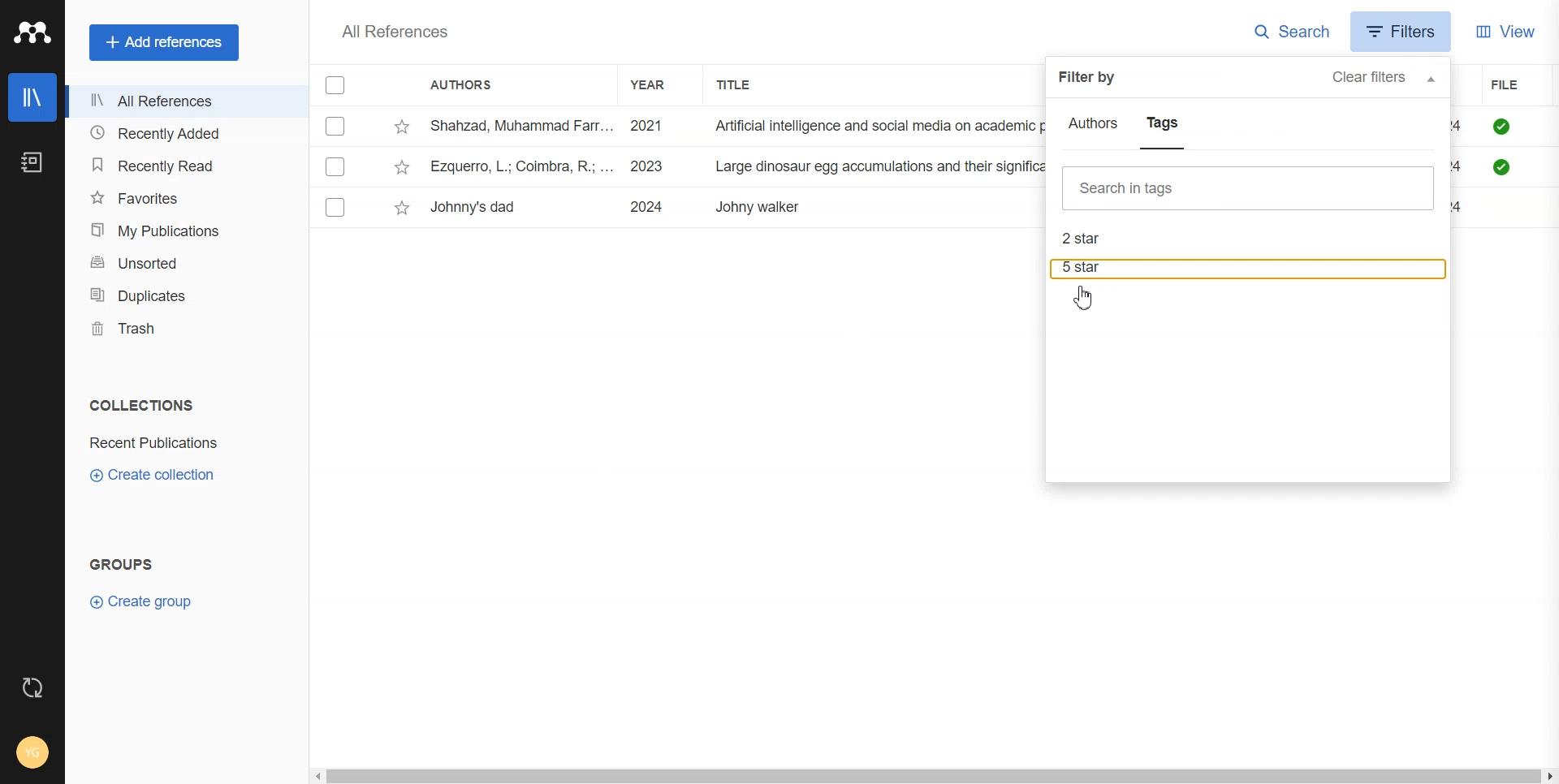 The height and width of the screenshot is (784, 1559). Describe the element at coordinates (1095, 126) in the screenshot. I see `Authors` at that location.